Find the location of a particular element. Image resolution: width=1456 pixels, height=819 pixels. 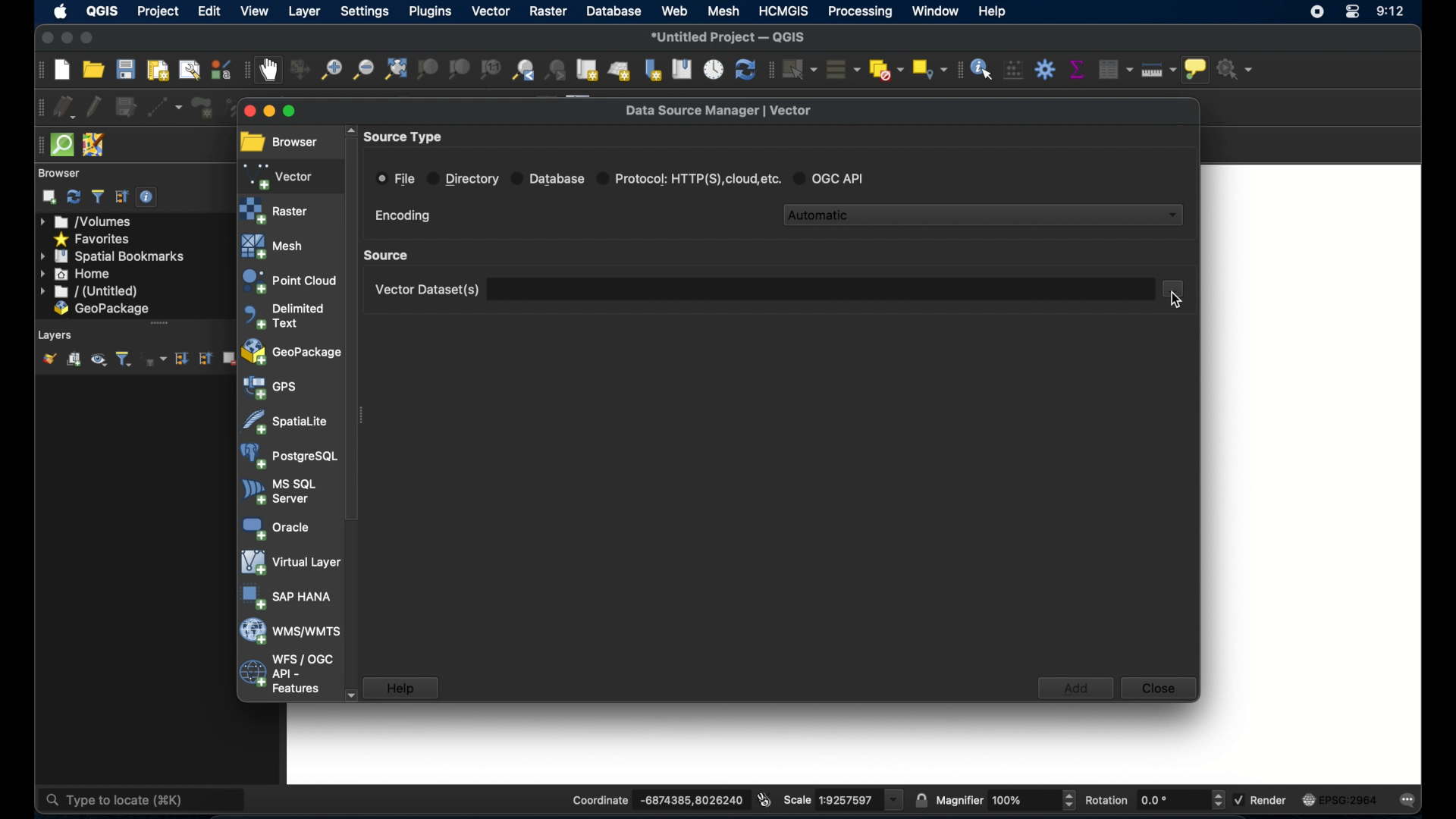

collapse all is located at coordinates (206, 360).